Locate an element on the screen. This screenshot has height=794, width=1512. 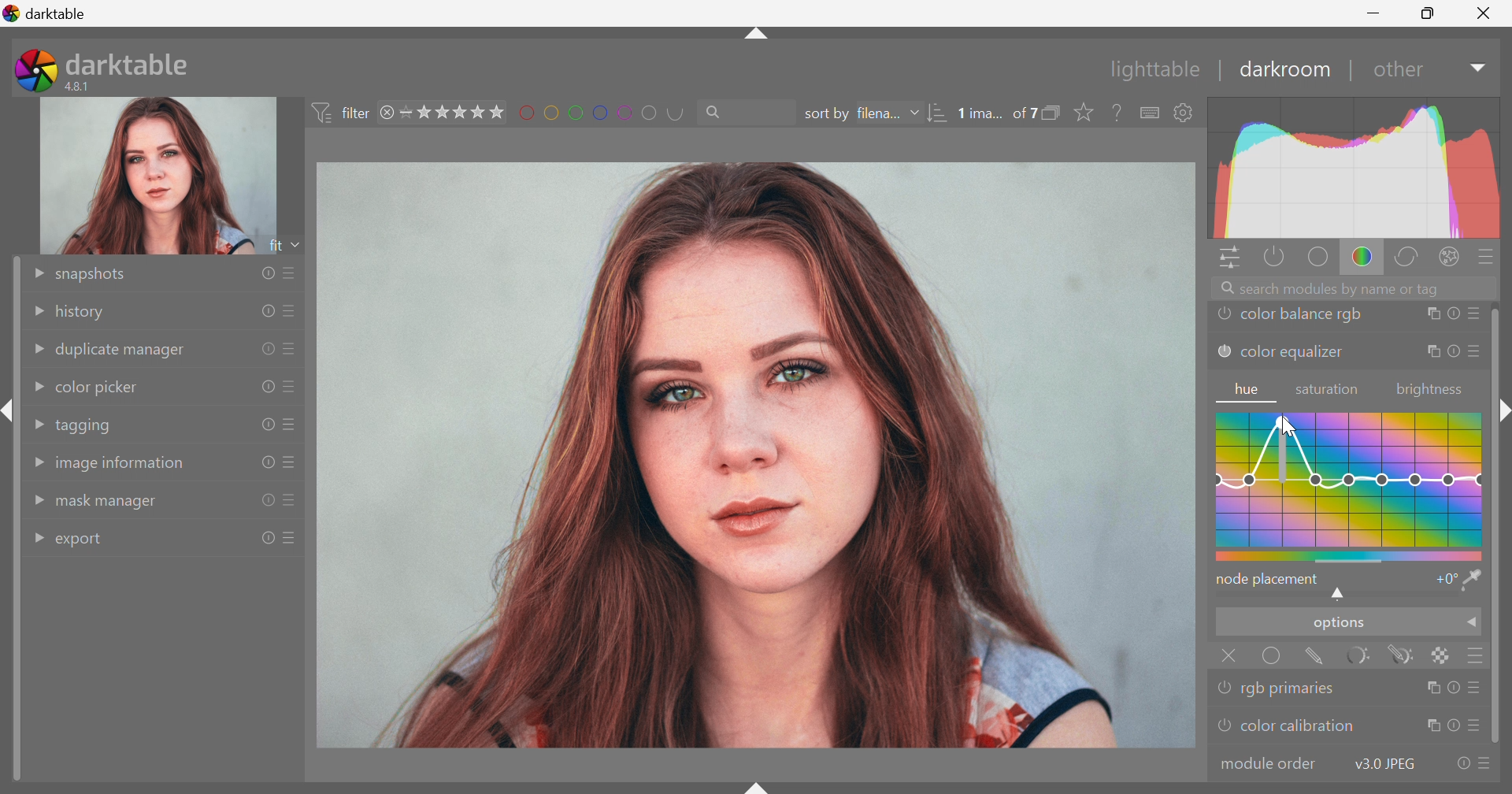
brightness is located at coordinates (1429, 390).